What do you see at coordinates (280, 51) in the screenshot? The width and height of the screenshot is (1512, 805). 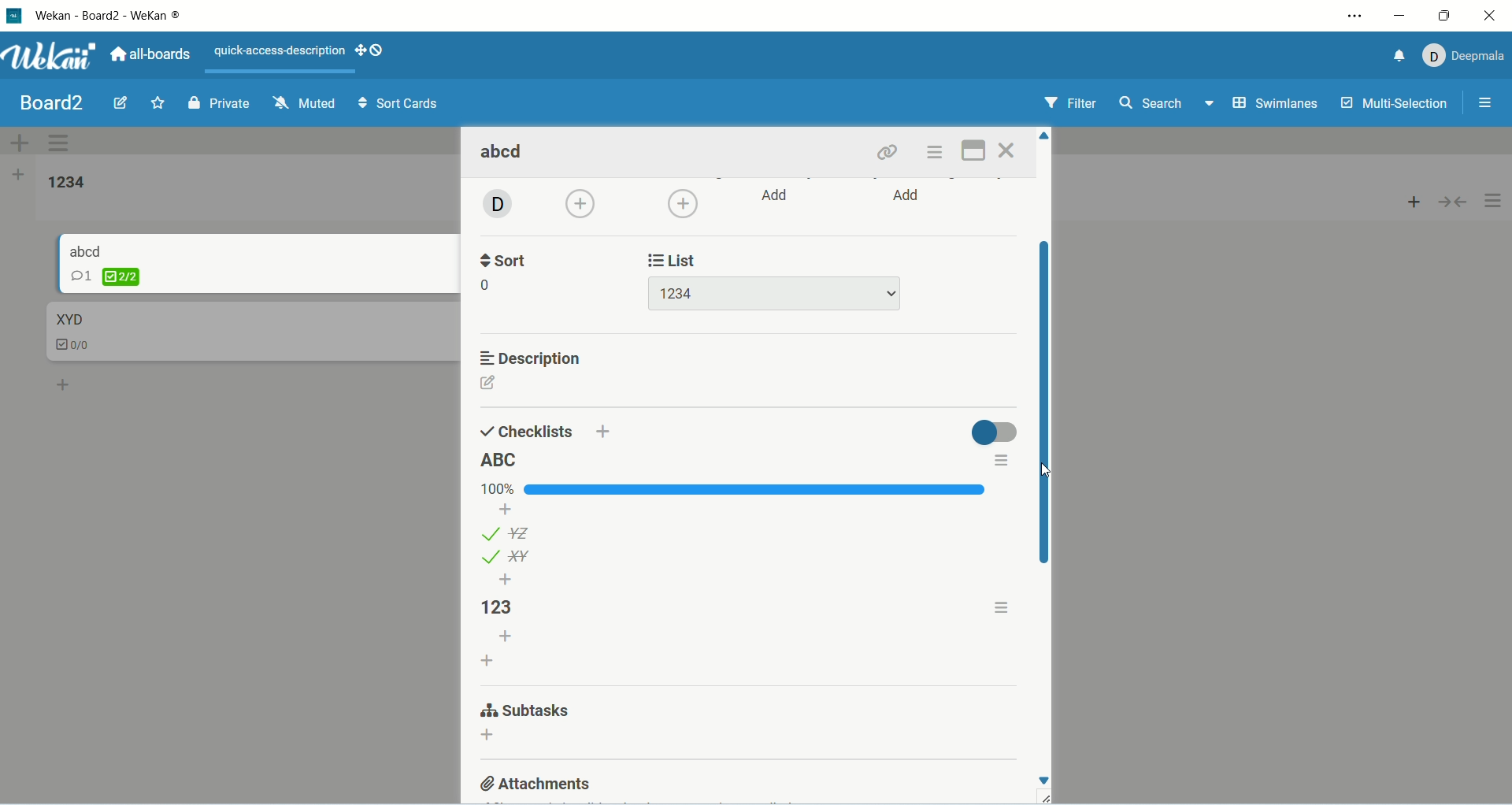 I see `text` at bounding box center [280, 51].